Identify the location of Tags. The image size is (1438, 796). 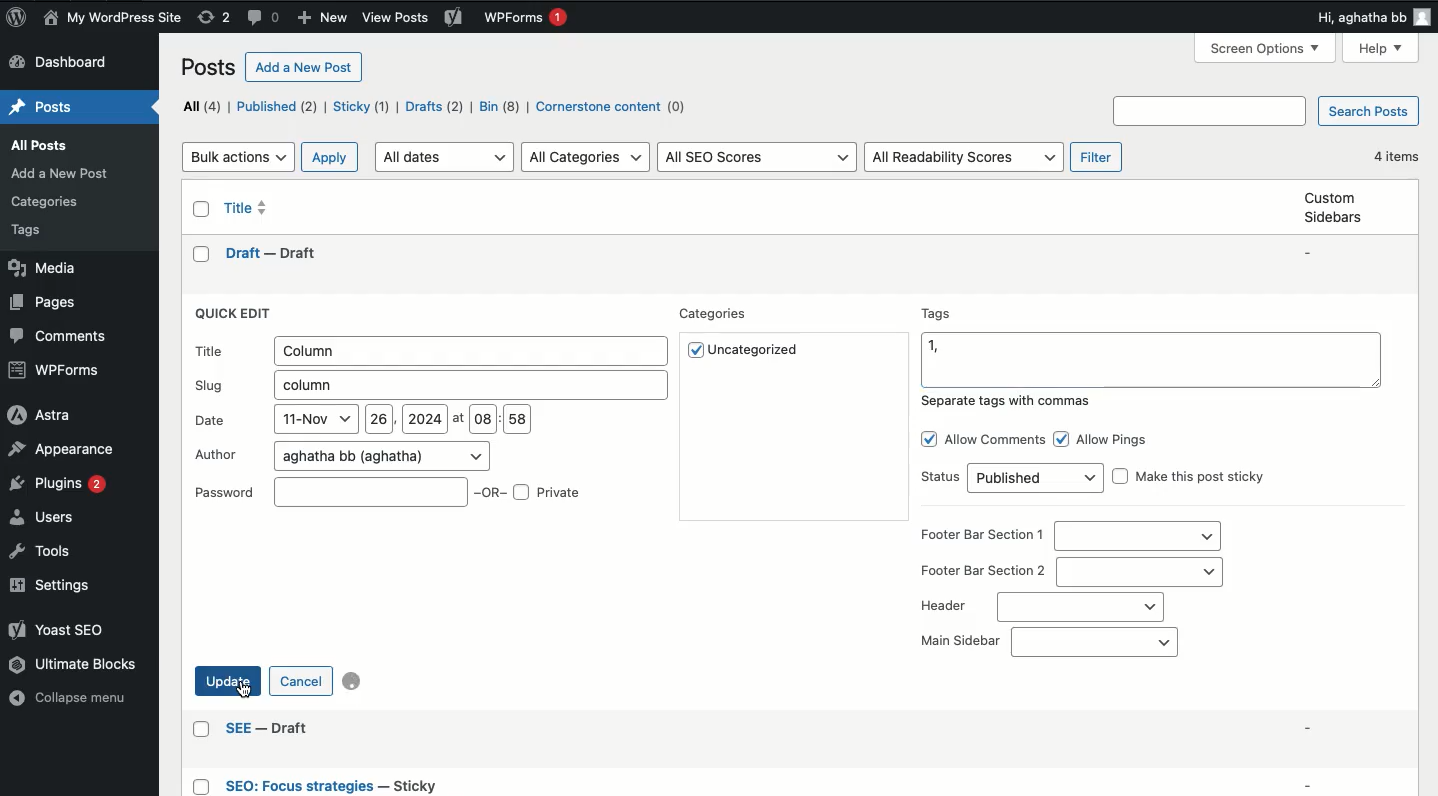
(1148, 358).